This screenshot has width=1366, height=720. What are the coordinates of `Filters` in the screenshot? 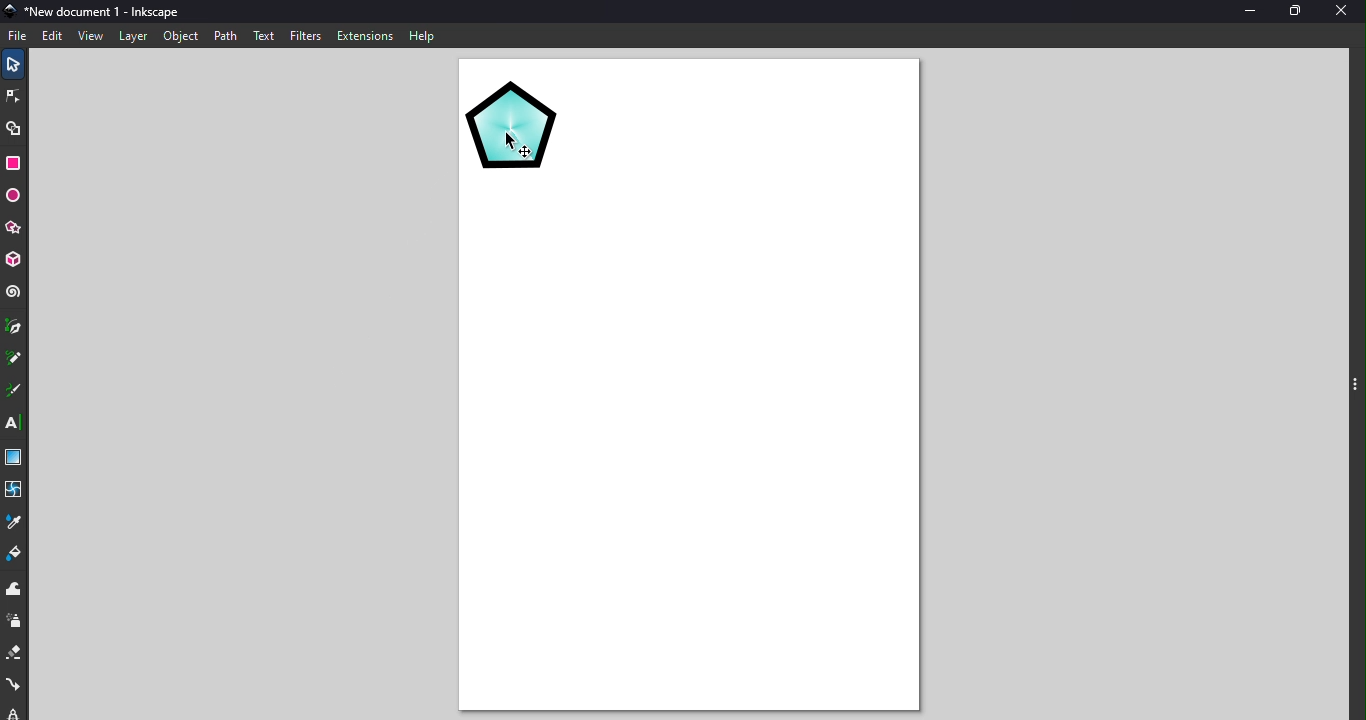 It's located at (306, 35).